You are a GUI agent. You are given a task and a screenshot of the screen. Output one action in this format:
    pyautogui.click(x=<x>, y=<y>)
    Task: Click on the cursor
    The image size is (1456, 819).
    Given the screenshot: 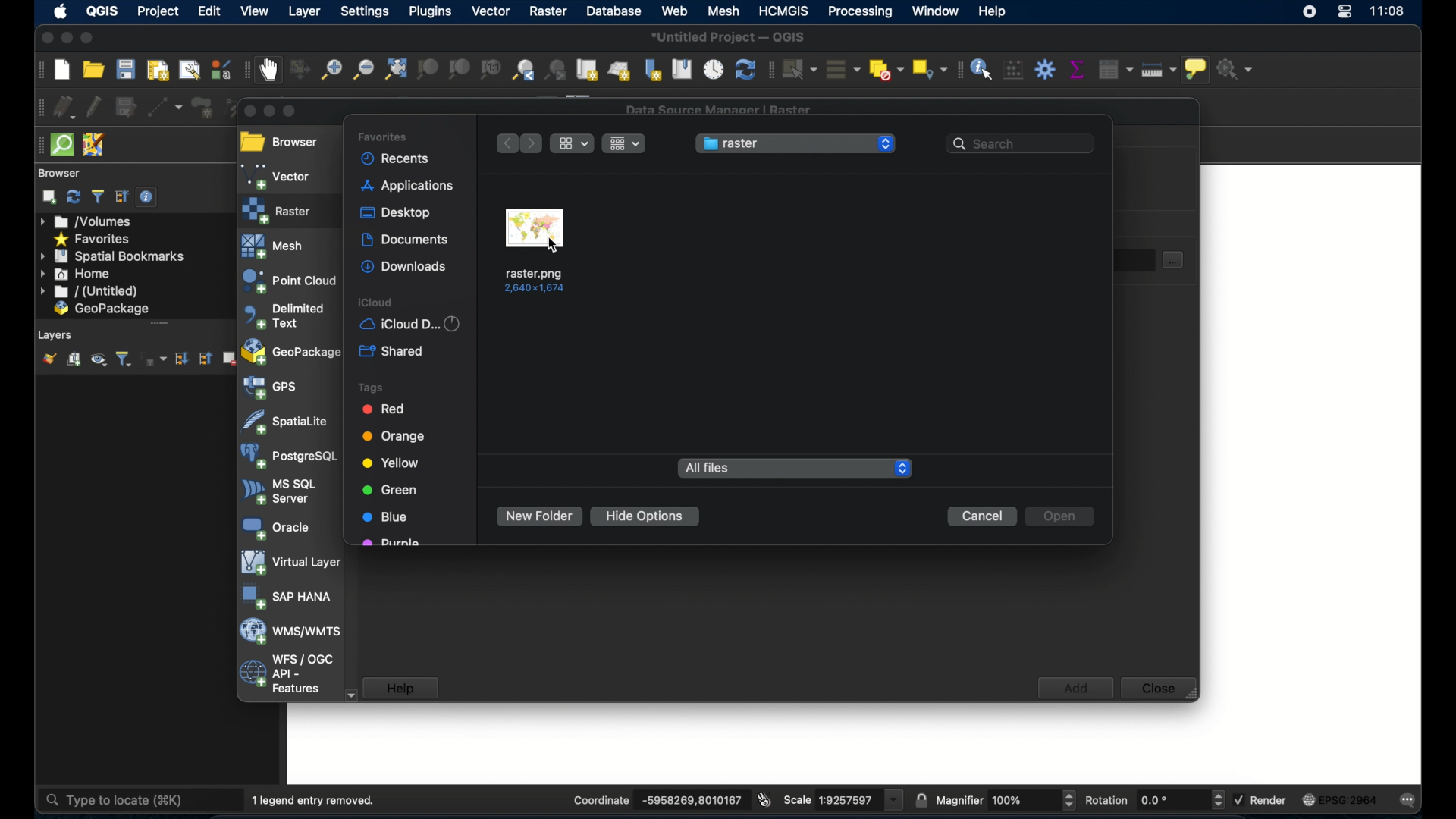 What is the action you would take?
    pyautogui.click(x=557, y=246)
    